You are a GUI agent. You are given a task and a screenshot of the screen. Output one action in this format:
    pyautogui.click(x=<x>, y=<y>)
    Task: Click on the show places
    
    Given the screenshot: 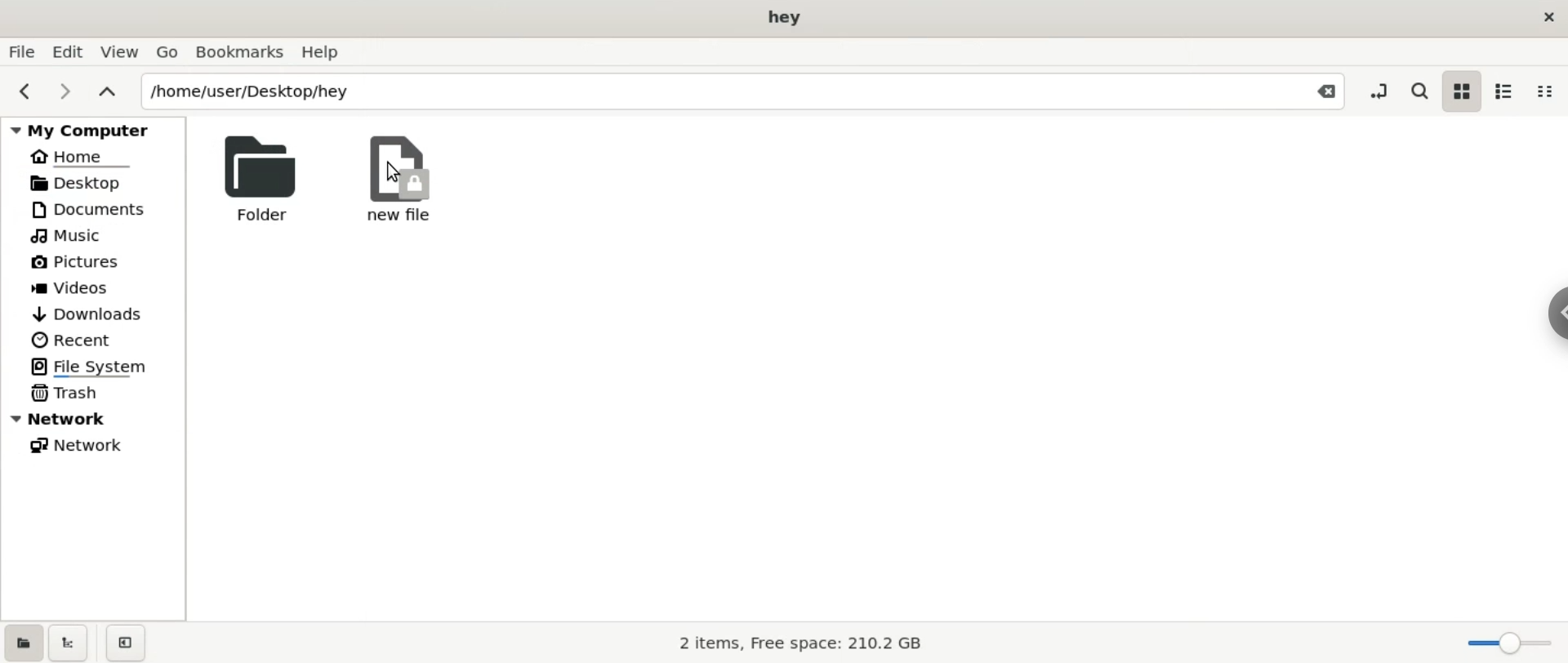 What is the action you would take?
    pyautogui.click(x=23, y=646)
    